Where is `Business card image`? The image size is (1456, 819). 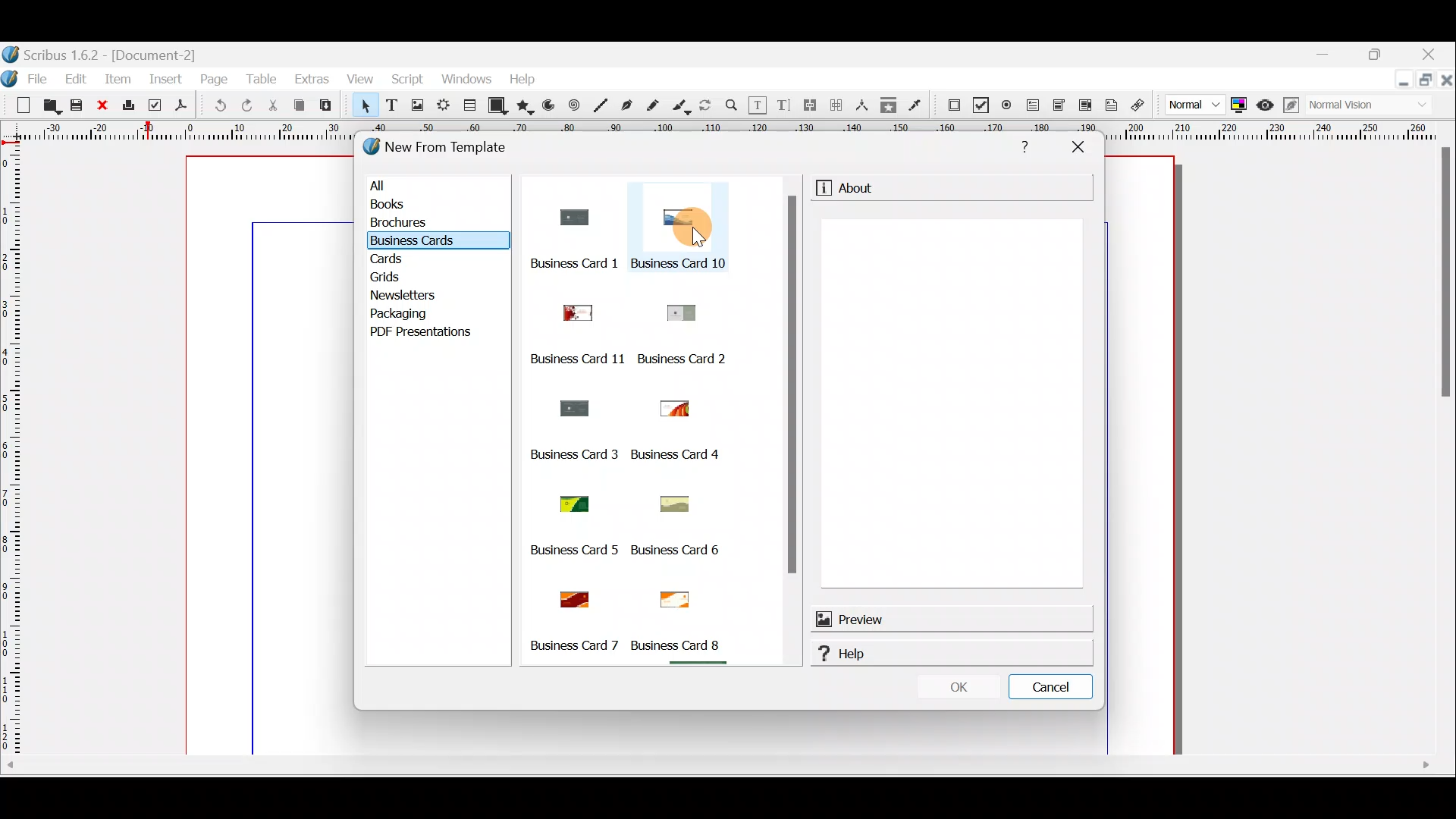
Business card image is located at coordinates (686, 216).